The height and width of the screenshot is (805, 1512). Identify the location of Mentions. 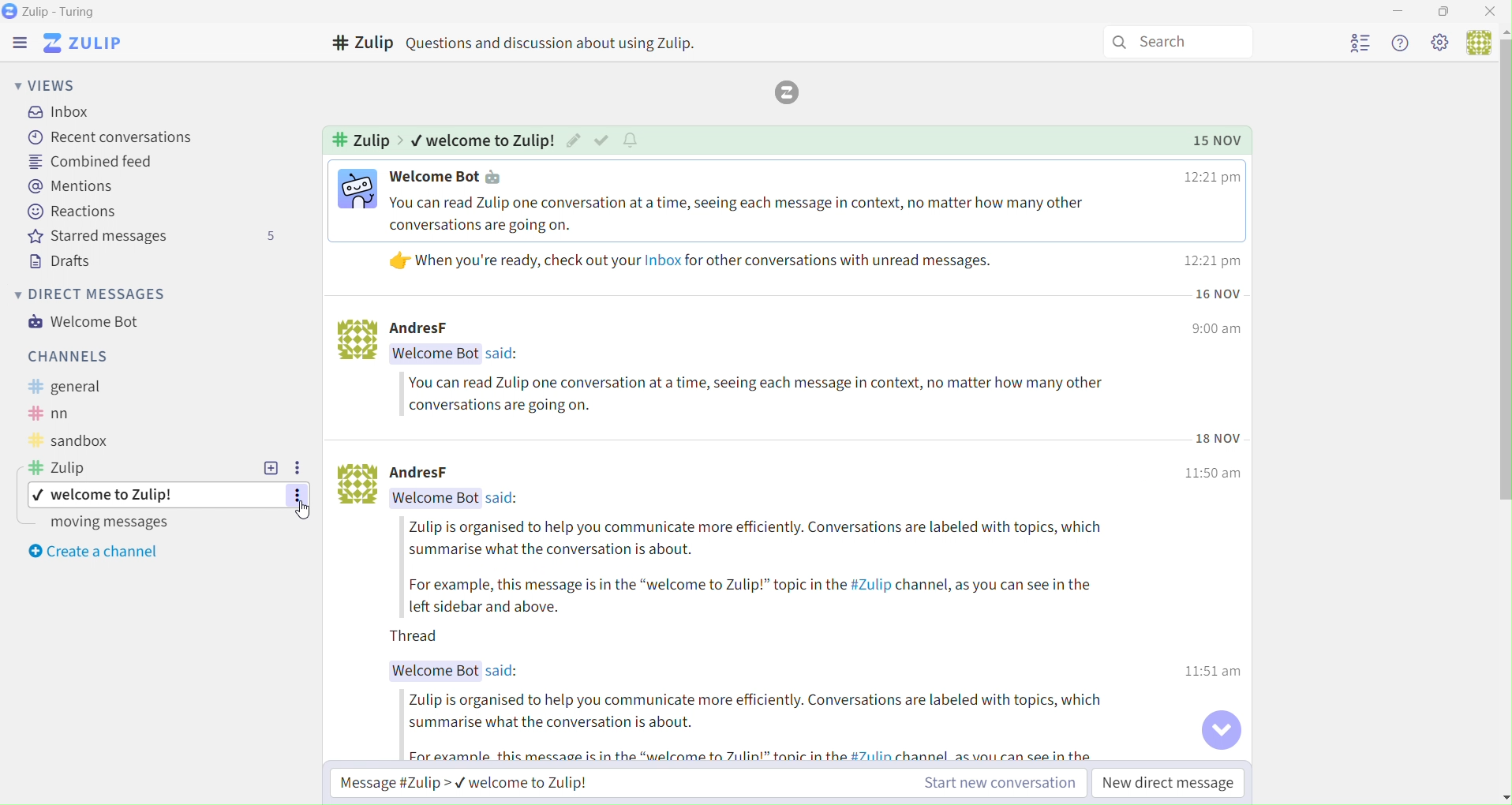
(69, 186).